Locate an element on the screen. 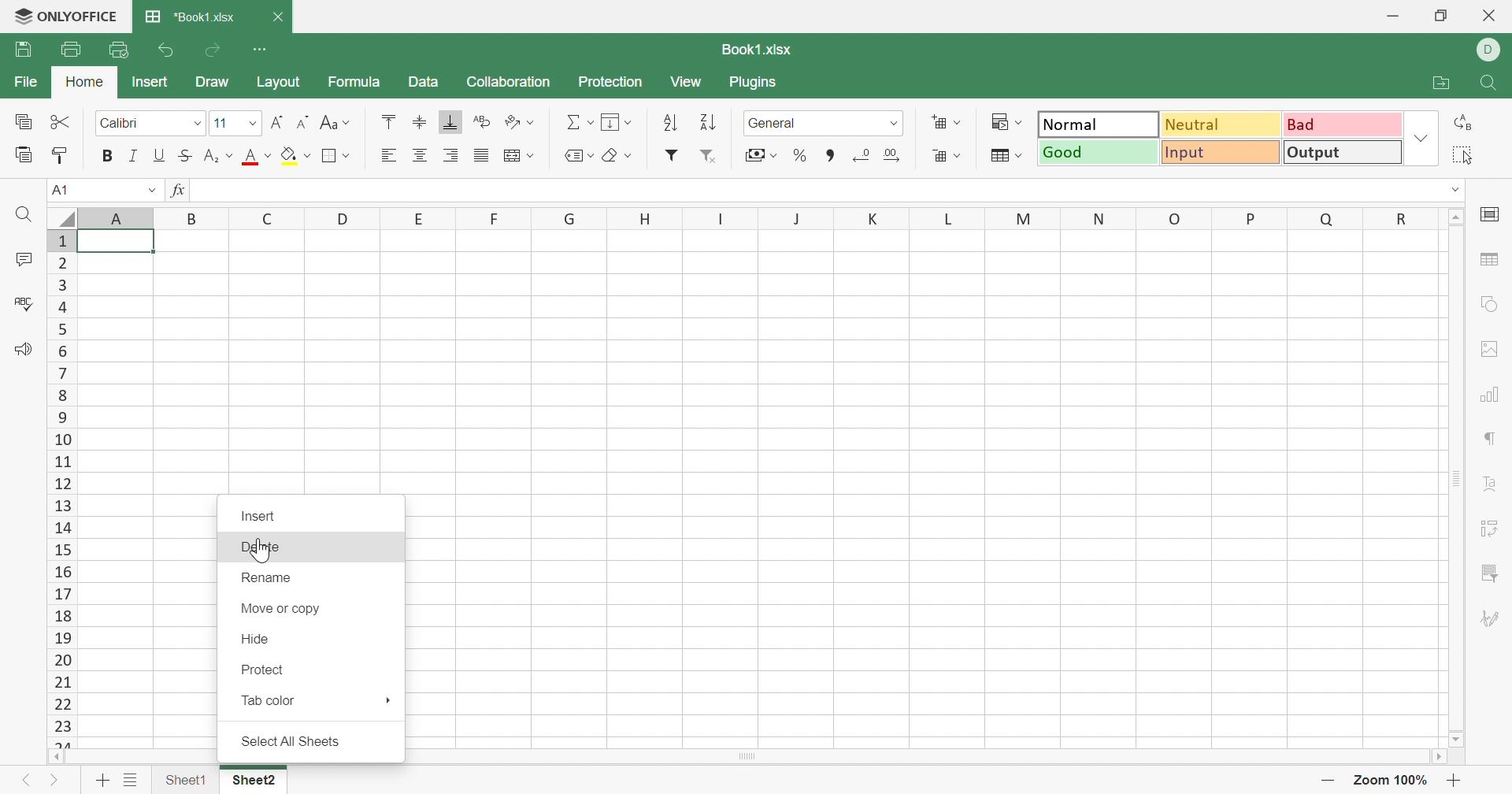 This screenshot has height=794, width=1512. Home is located at coordinates (83, 78).